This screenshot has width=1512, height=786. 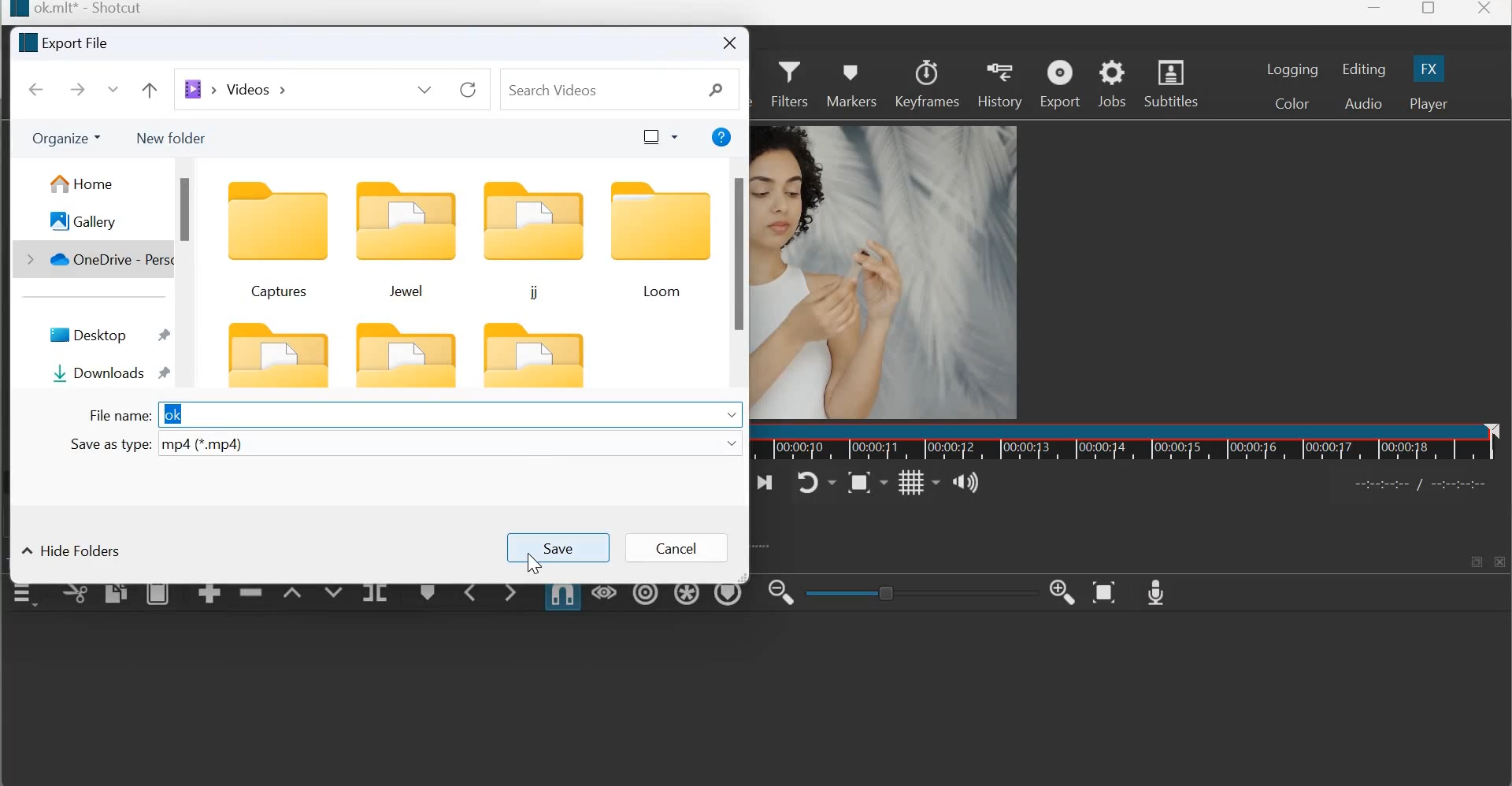 I want to click on Toggle player looping, so click(x=816, y=482).